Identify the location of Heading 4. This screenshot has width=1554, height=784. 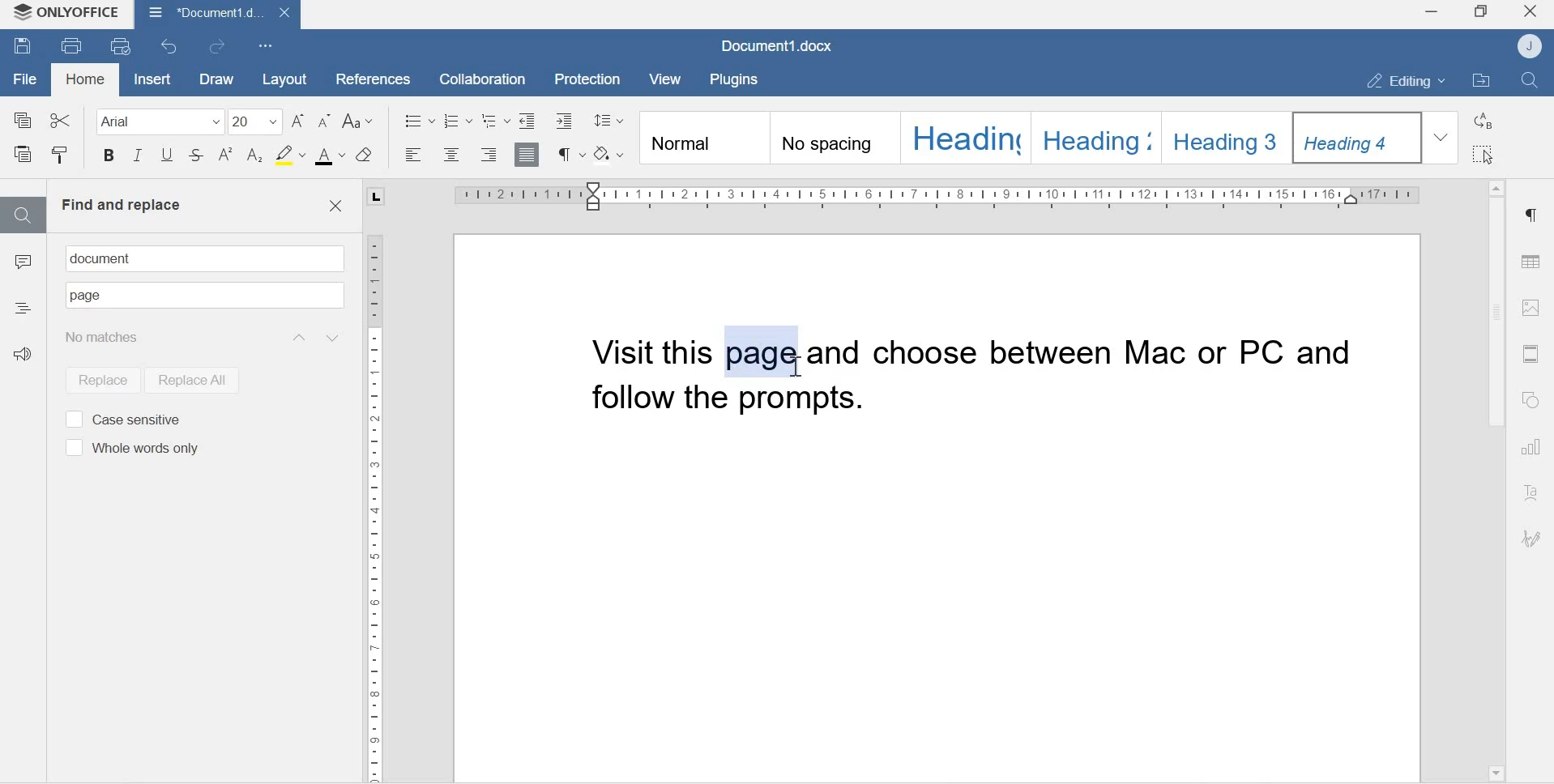
(1359, 138).